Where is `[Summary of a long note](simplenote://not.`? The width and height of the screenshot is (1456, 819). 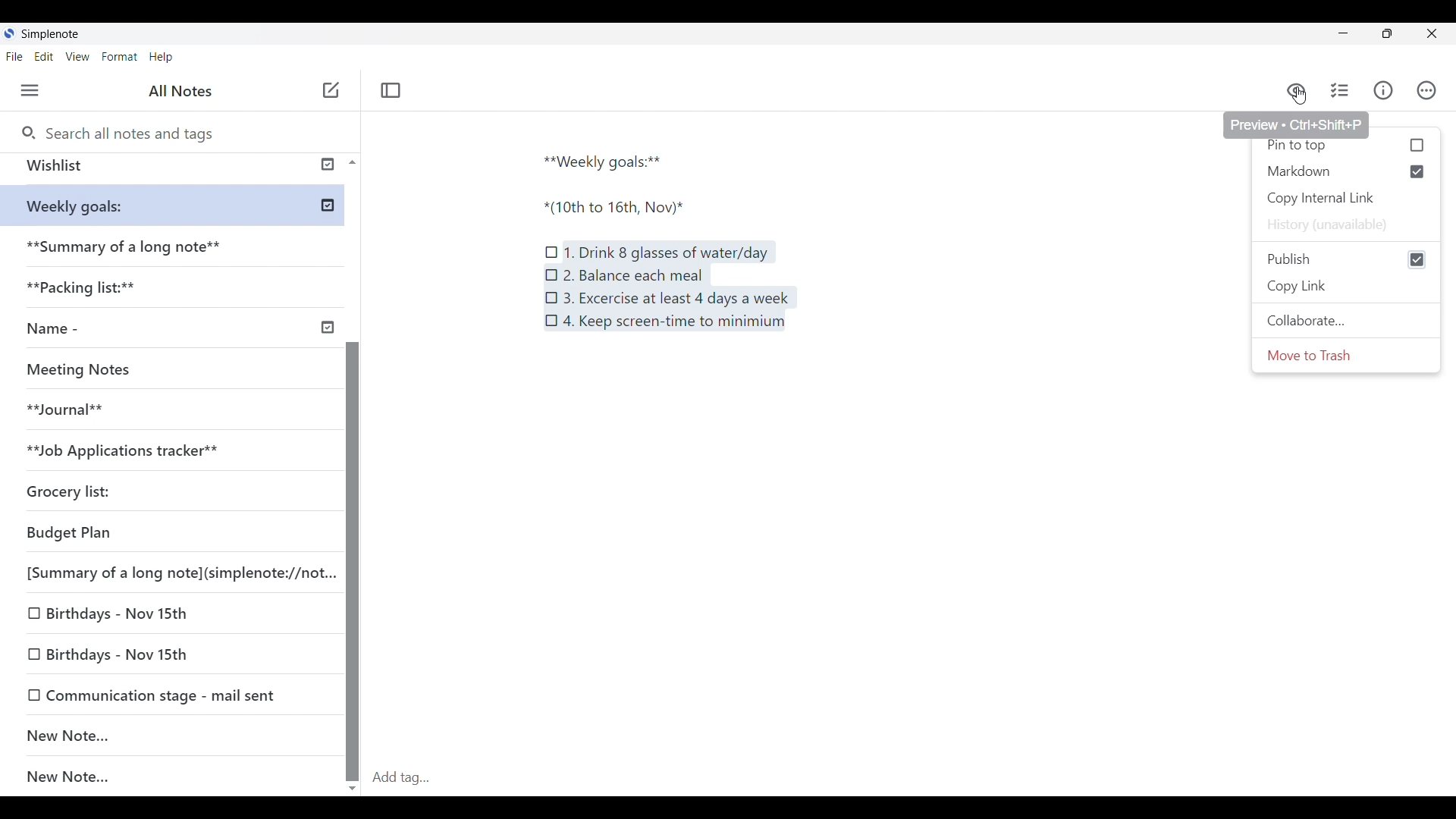
[Summary of a long note](simplenote://not. is located at coordinates (171, 572).